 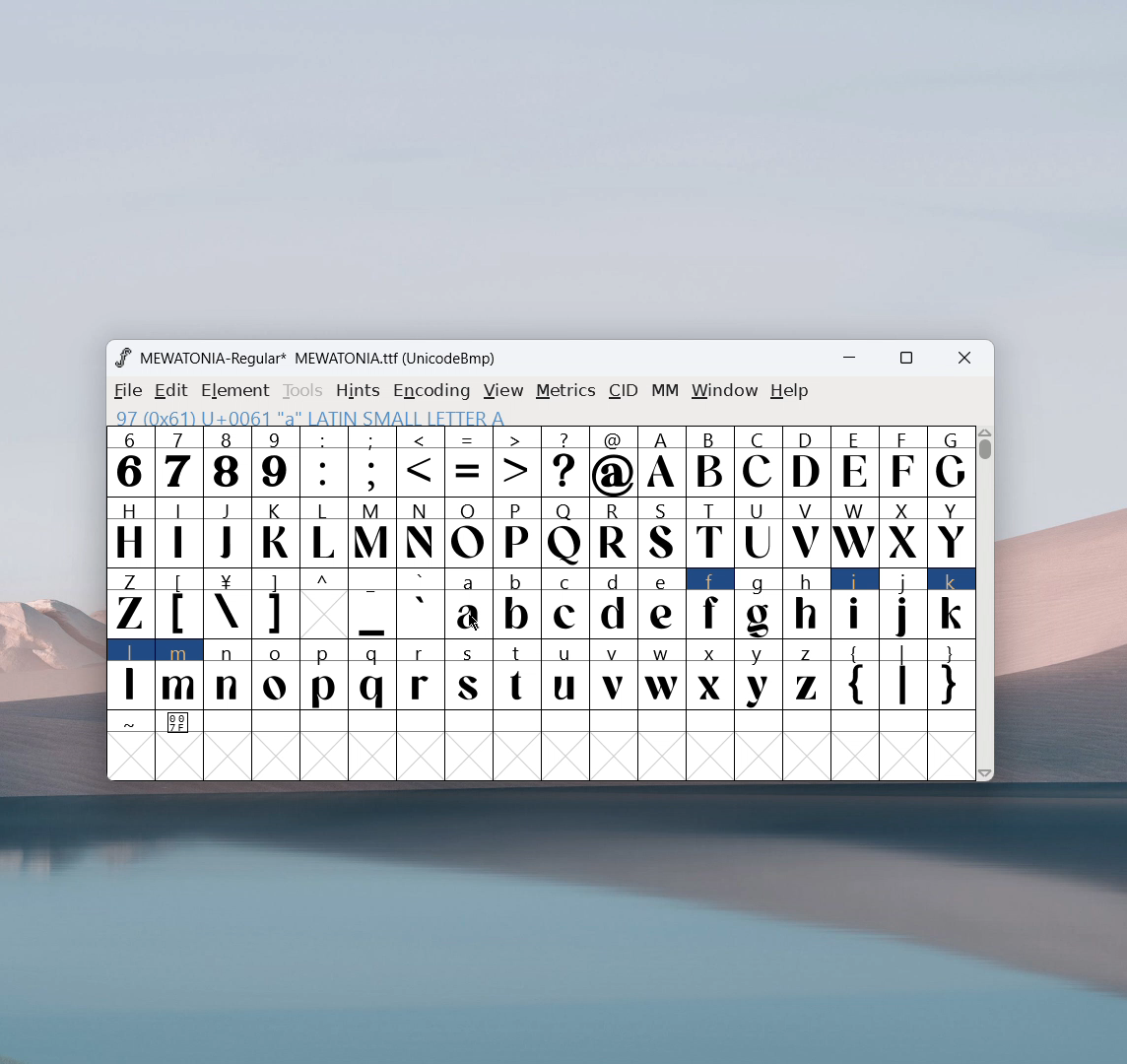 I want to click on ], so click(x=275, y=604).